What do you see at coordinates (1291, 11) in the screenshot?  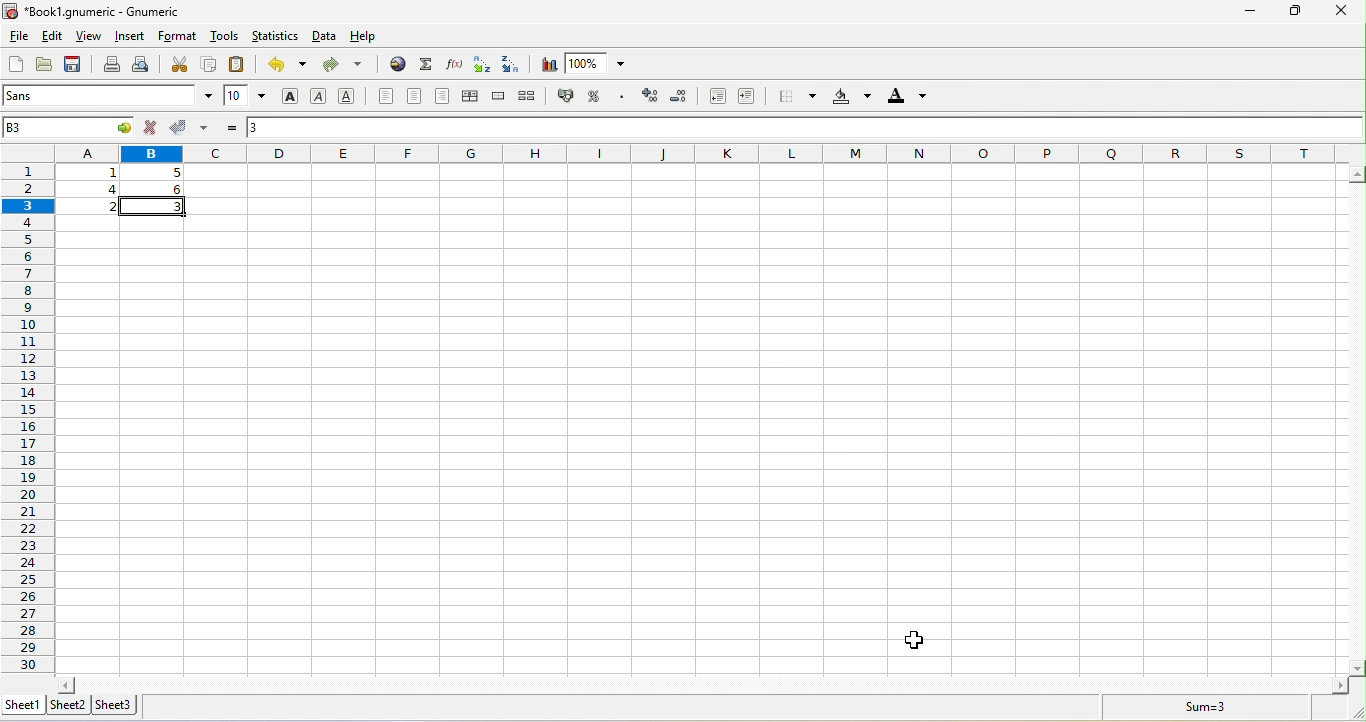 I see `maximize` at bounding box center [1291, 11].